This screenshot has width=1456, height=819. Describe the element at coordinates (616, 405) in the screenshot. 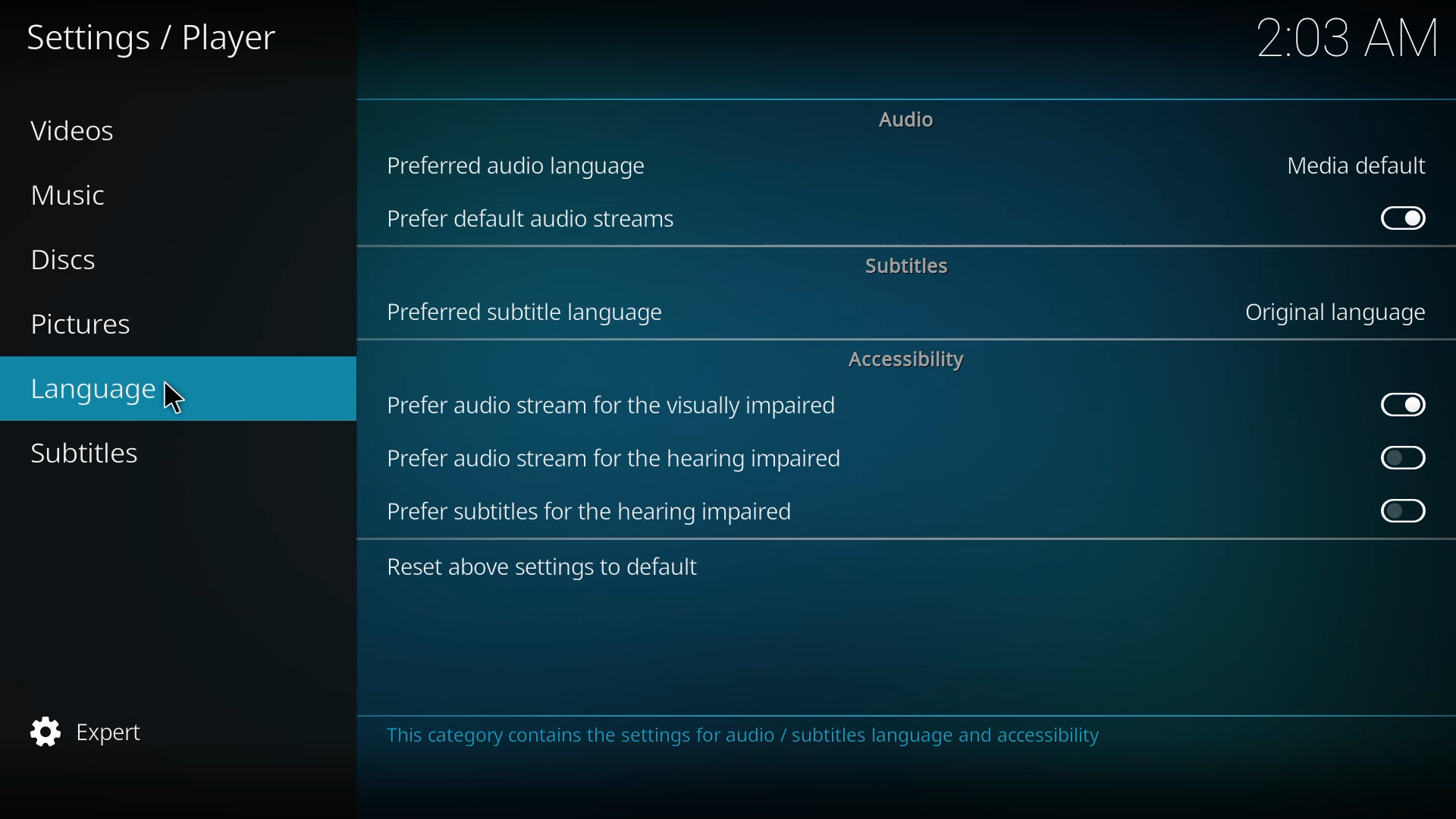

I see `prefer audio stream for visually impaired` at that location.